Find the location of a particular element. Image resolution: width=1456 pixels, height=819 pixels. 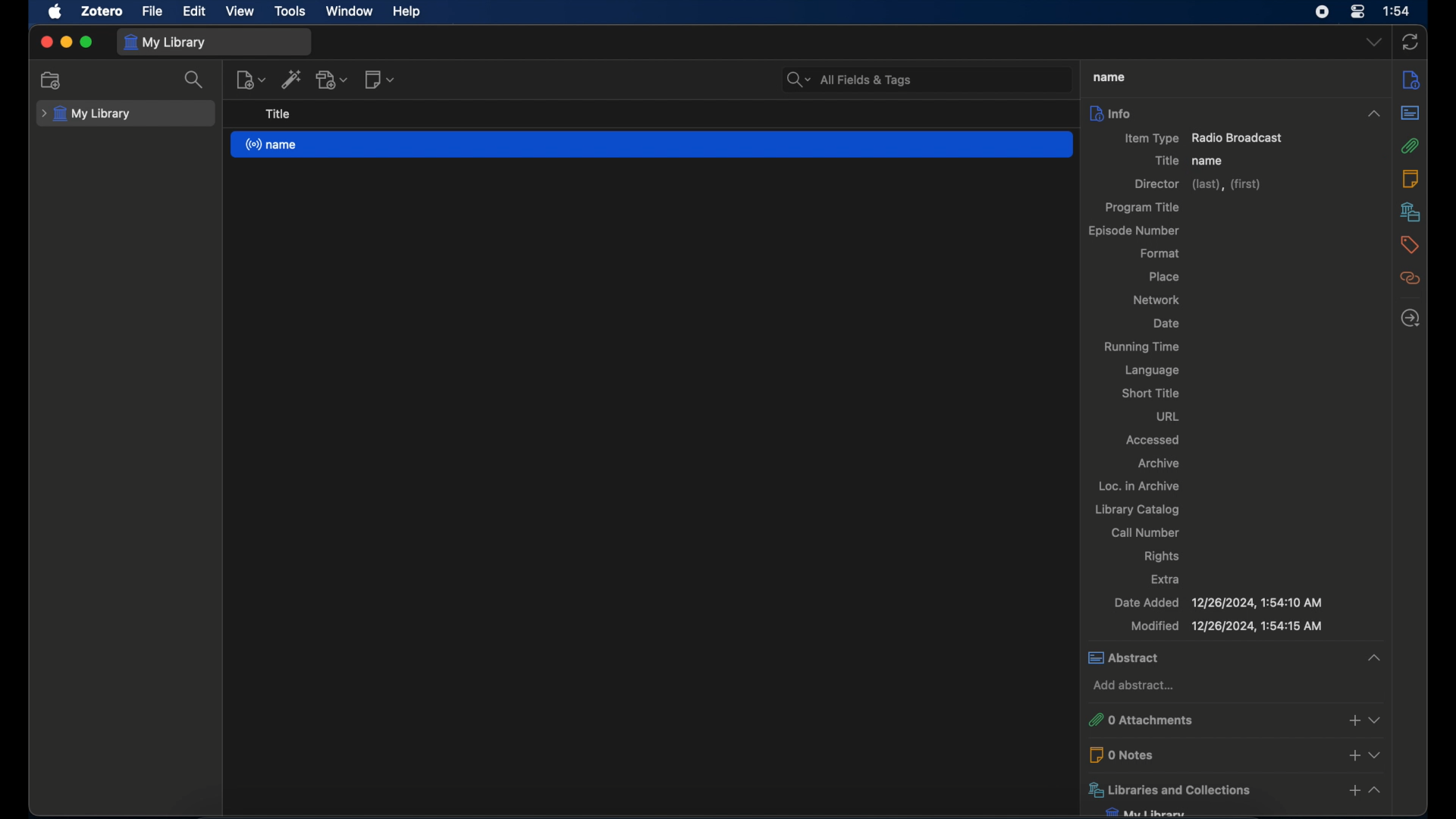

my library is located at coordinates (167, 42).